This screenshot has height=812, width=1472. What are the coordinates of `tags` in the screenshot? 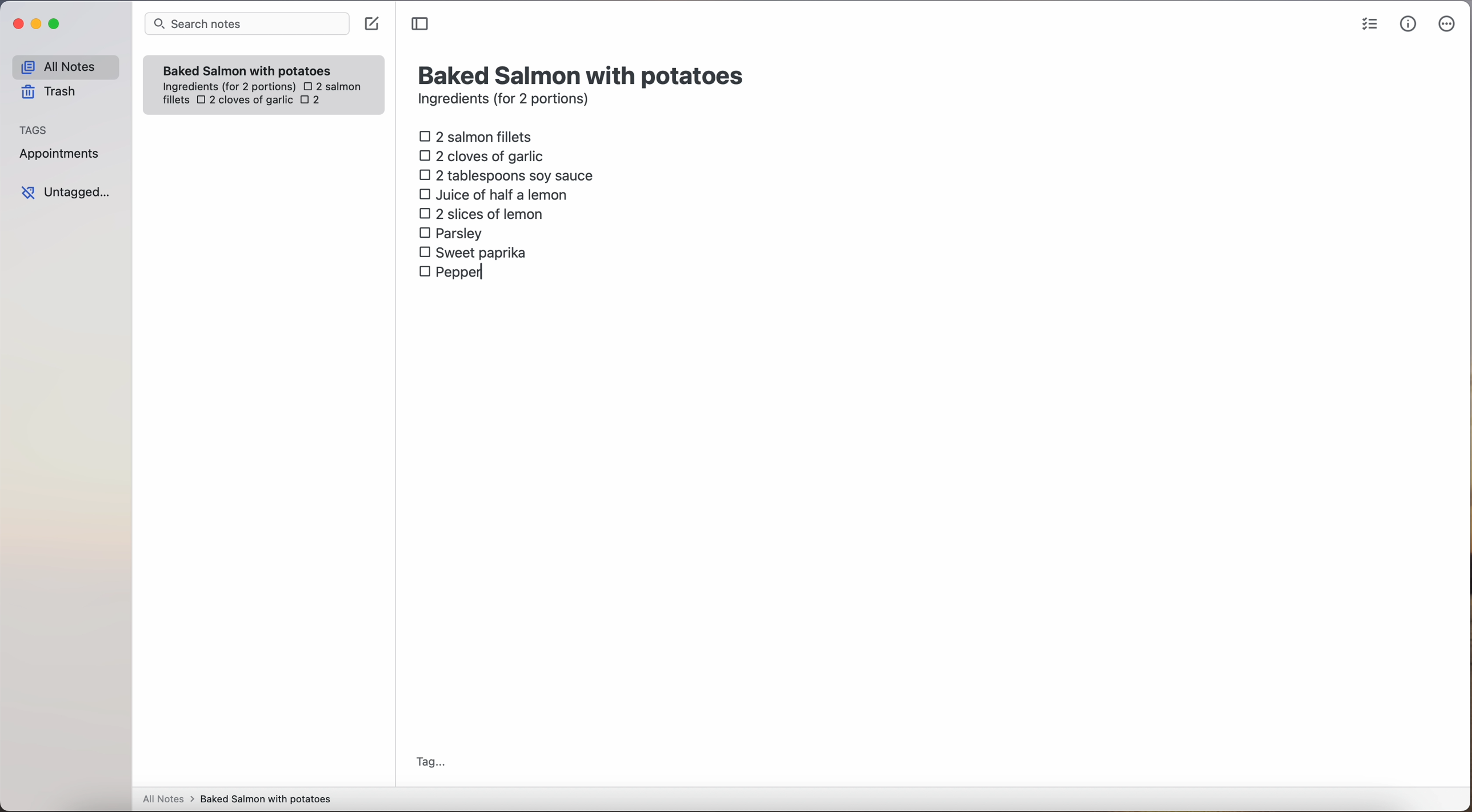 It's located at (34, 129).